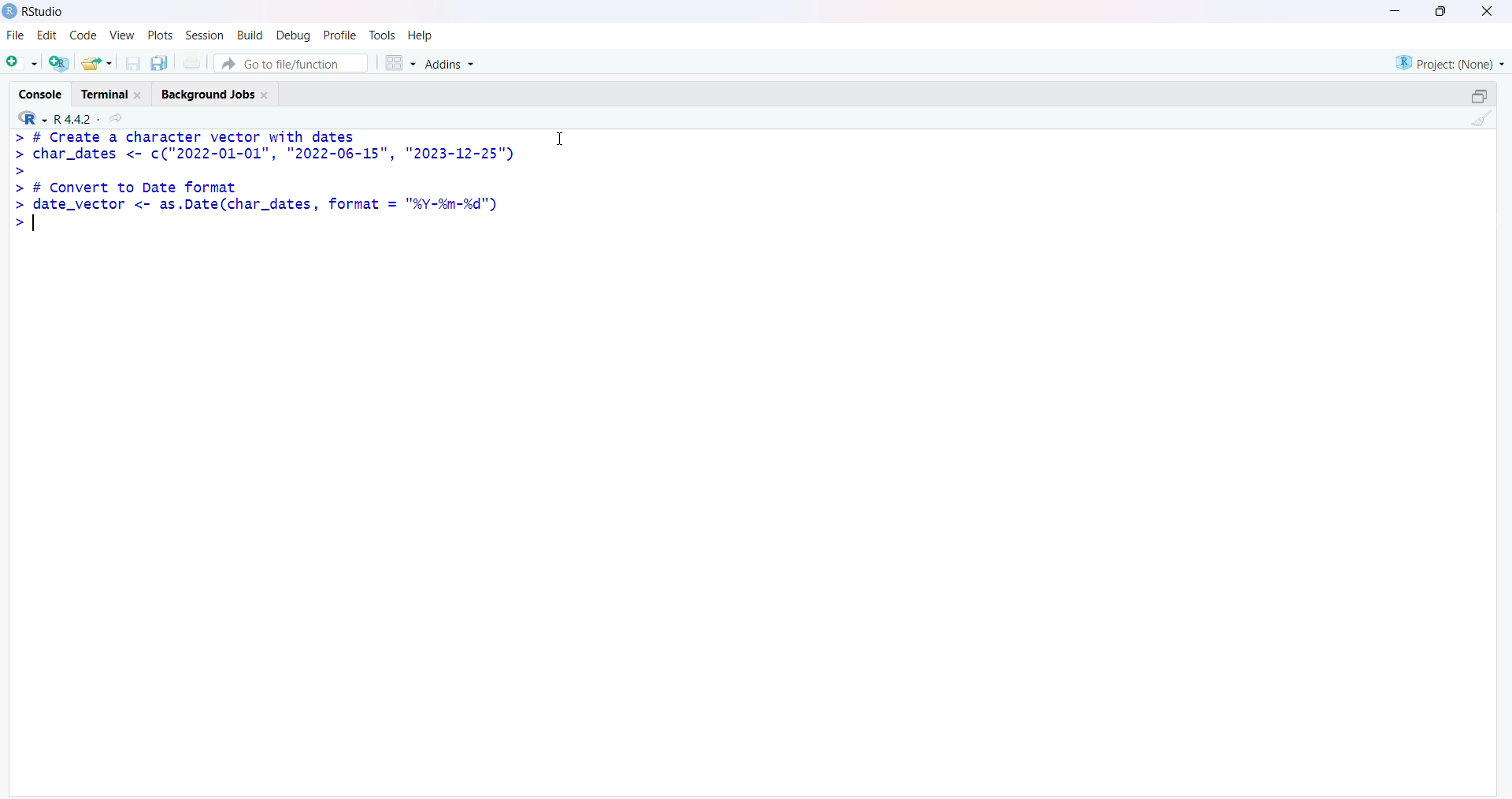 The height and width of the screenshot is (799, 1512). I want to click on Minimize, so click(1399, 9).